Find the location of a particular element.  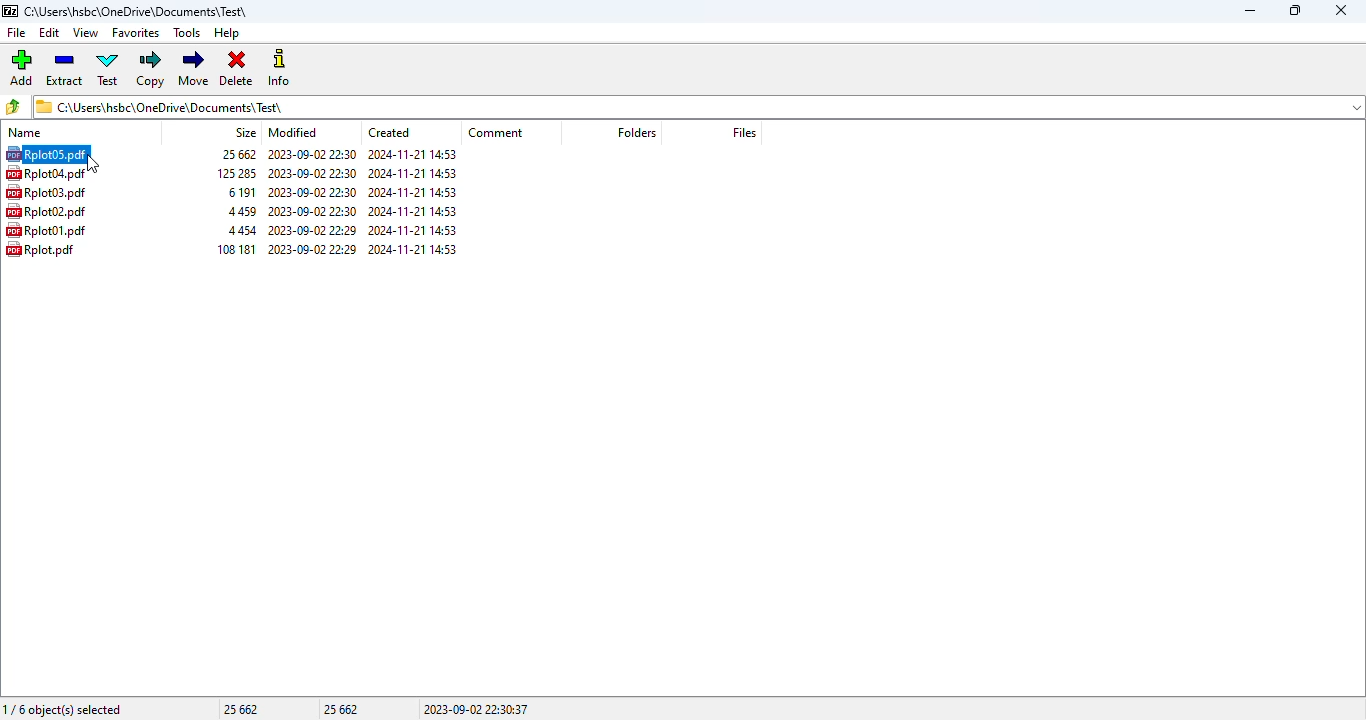

modified date & time is located at coordinates (314, 211).